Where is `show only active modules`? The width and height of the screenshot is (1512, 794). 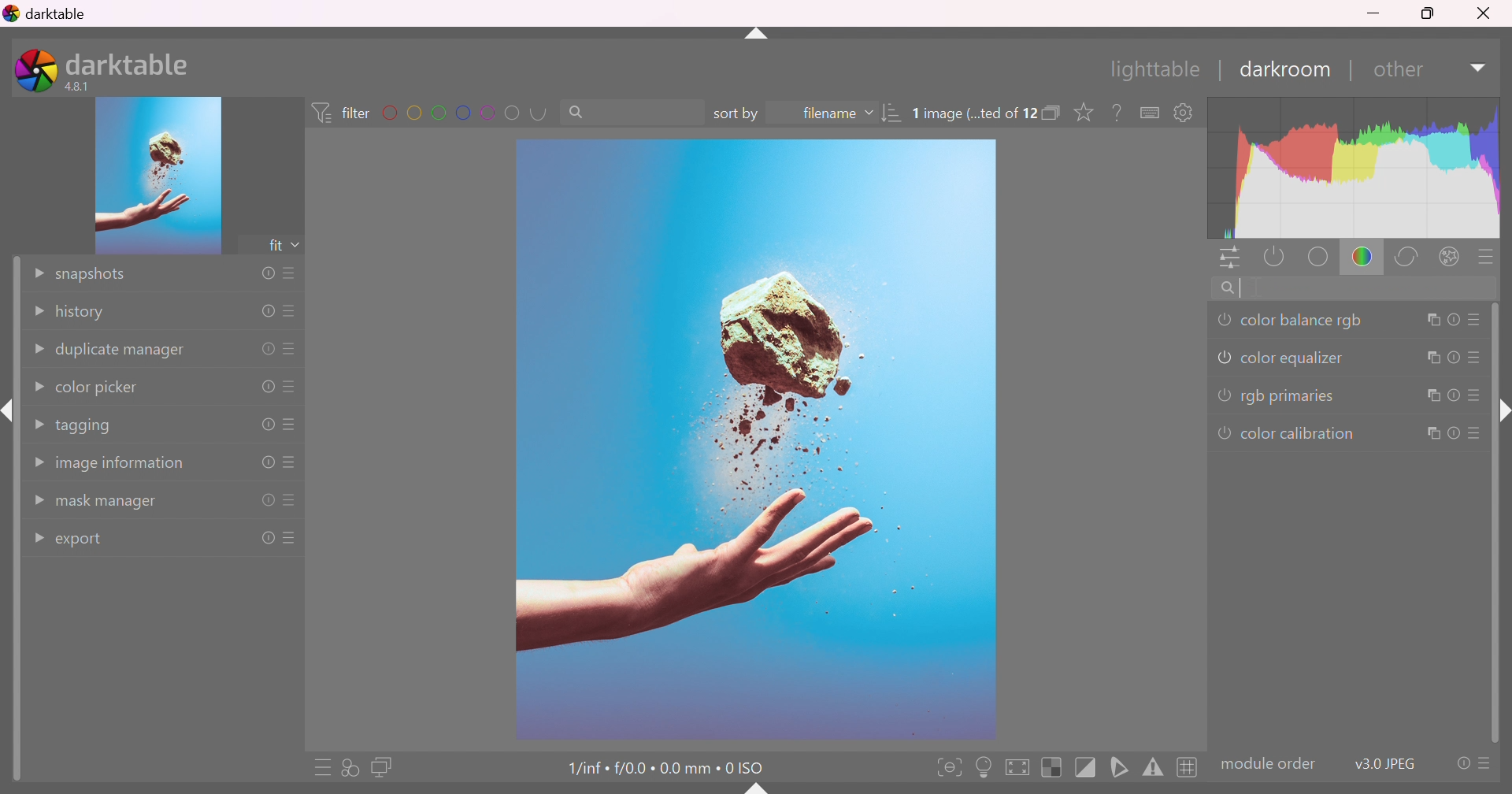
show only active modules is located at coordinates (1277, 256).